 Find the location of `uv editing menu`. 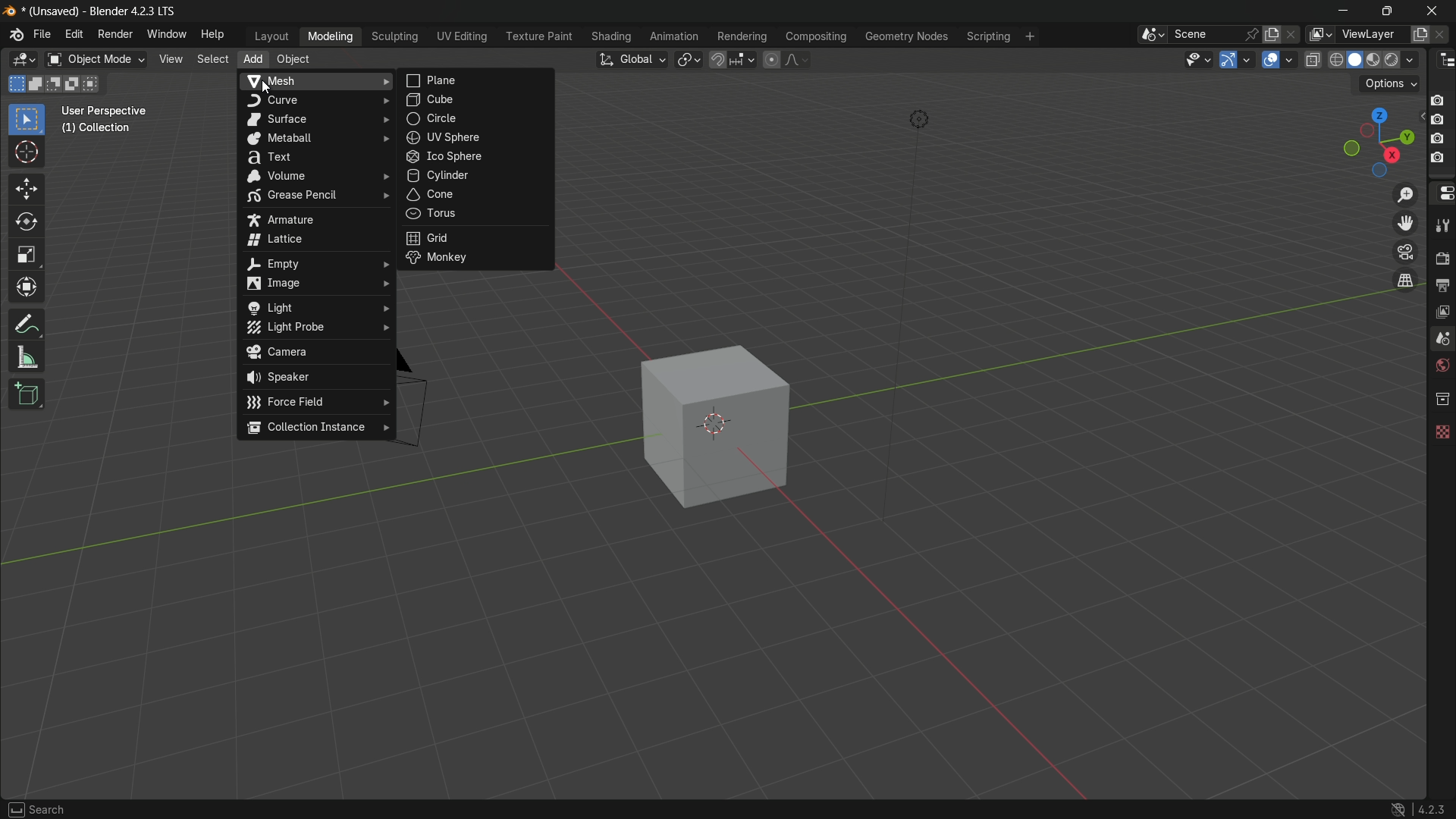

uv editing menu is located at coordinates (462, 36).